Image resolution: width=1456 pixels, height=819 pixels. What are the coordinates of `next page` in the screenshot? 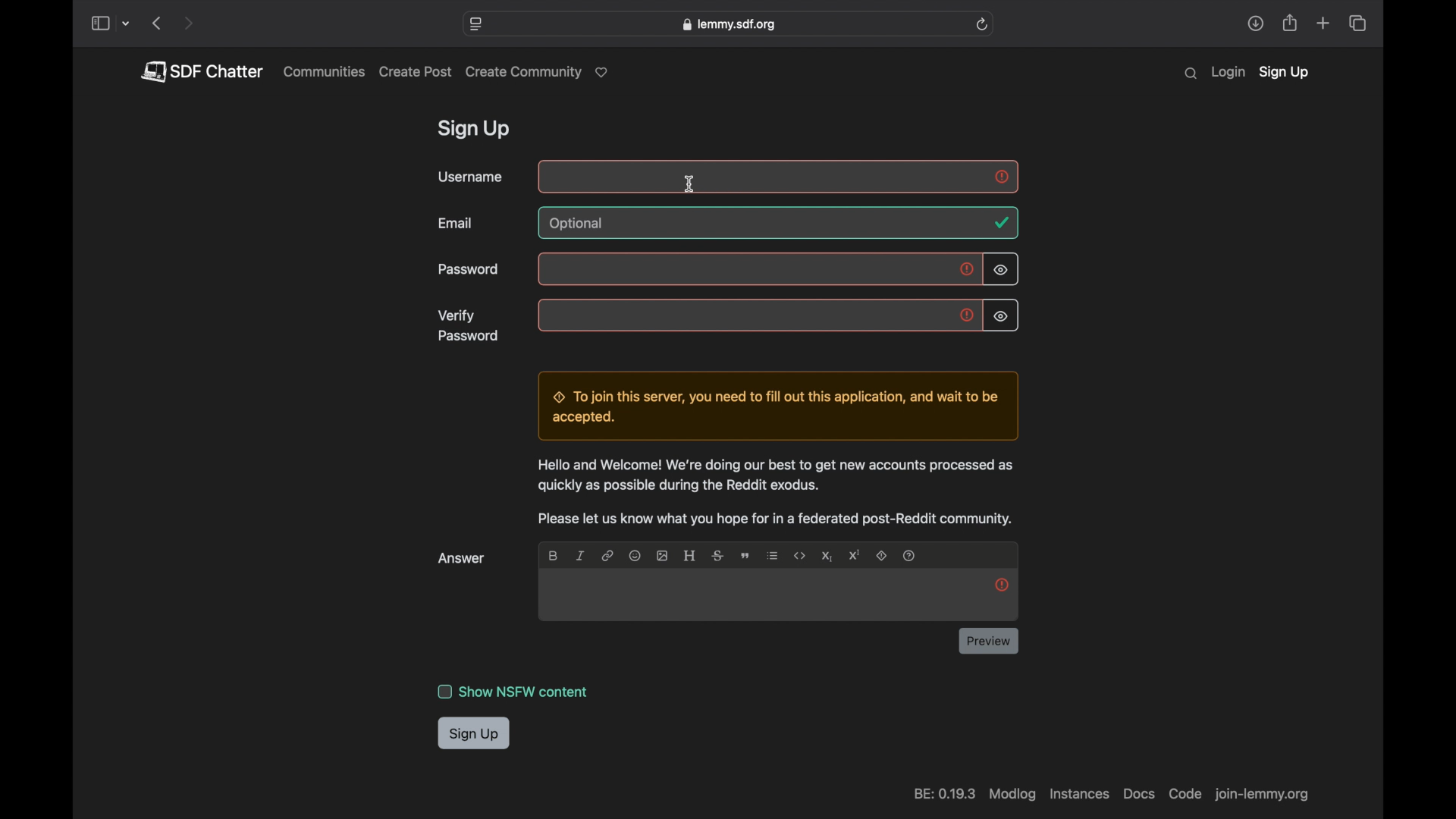 It's located at (188, 24).